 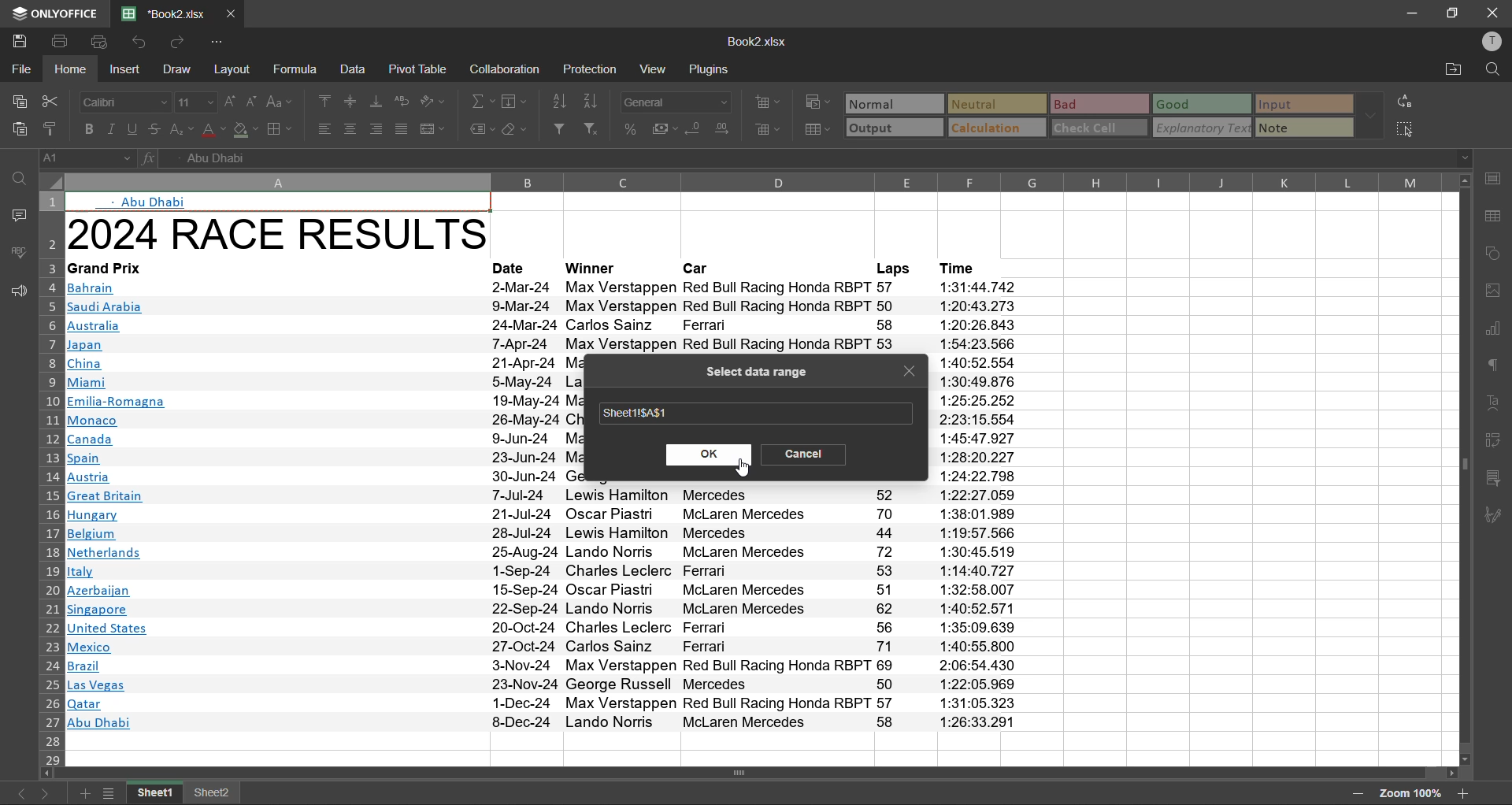 I want to click on fill color, so click(x=246, y=134).